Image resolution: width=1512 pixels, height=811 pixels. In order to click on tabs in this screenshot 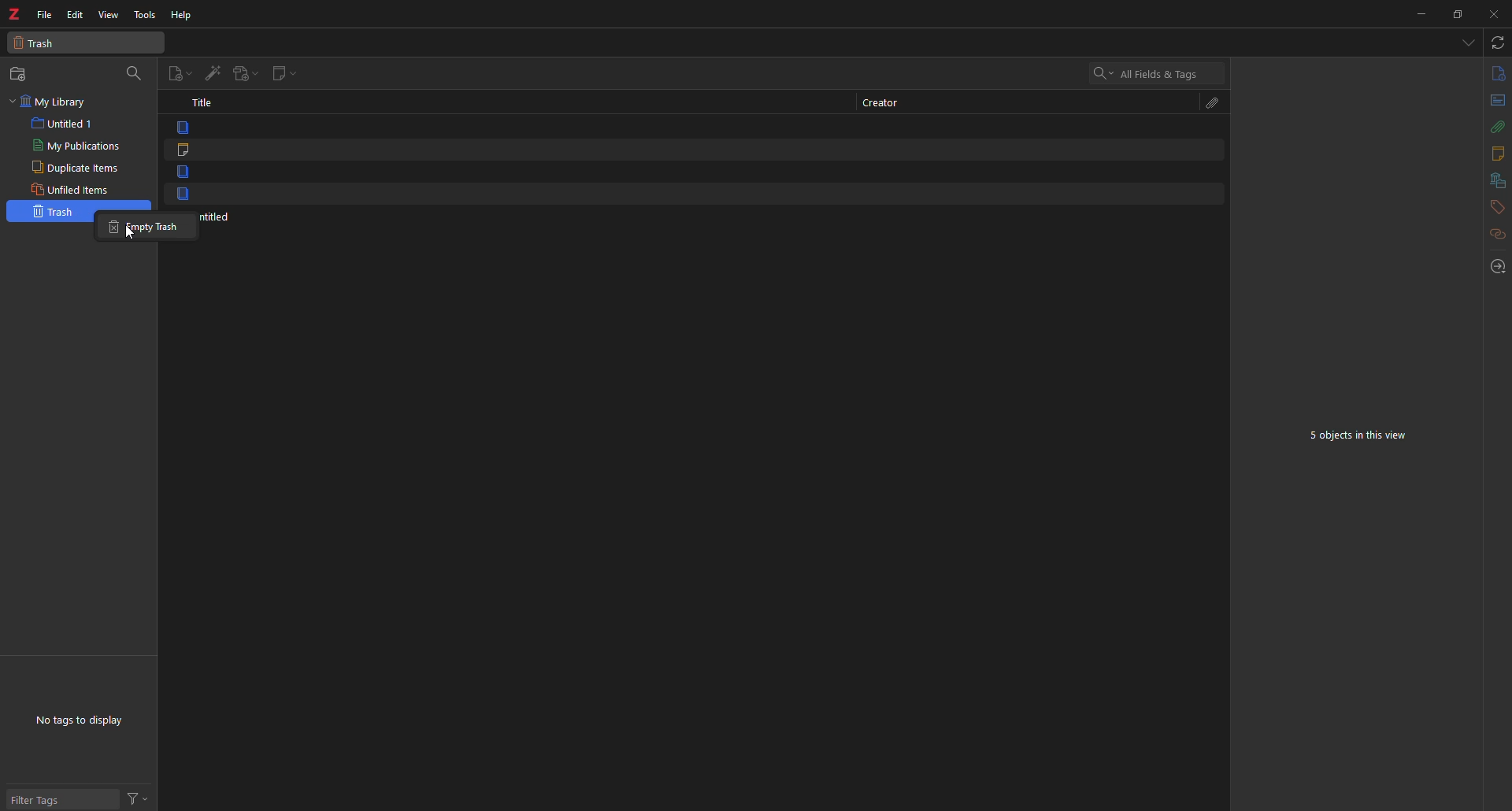, I will do `click(1467, 42)`.